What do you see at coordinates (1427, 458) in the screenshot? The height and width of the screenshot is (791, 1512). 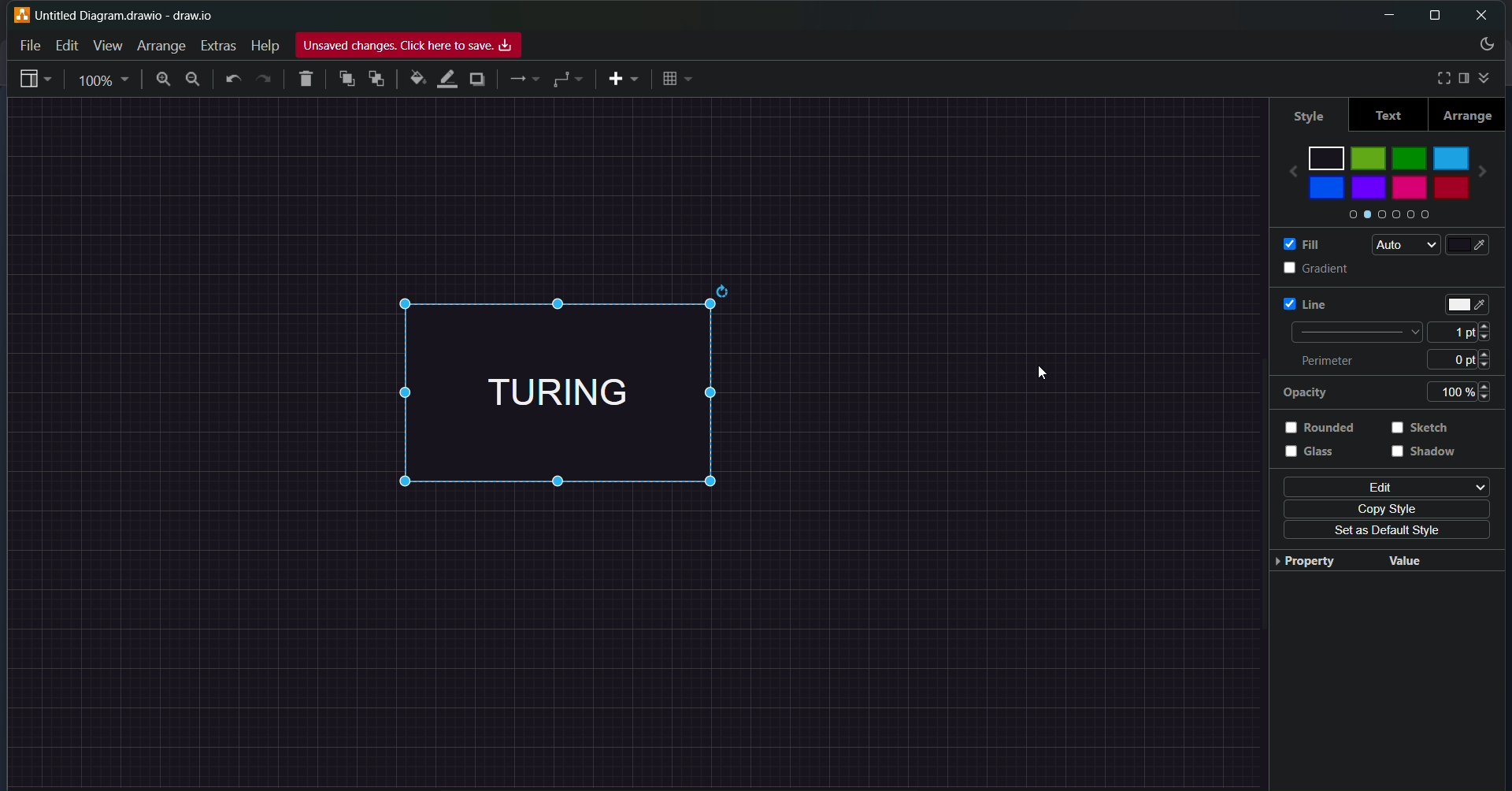 I see `shadow` at bounding box center [1427, 458].